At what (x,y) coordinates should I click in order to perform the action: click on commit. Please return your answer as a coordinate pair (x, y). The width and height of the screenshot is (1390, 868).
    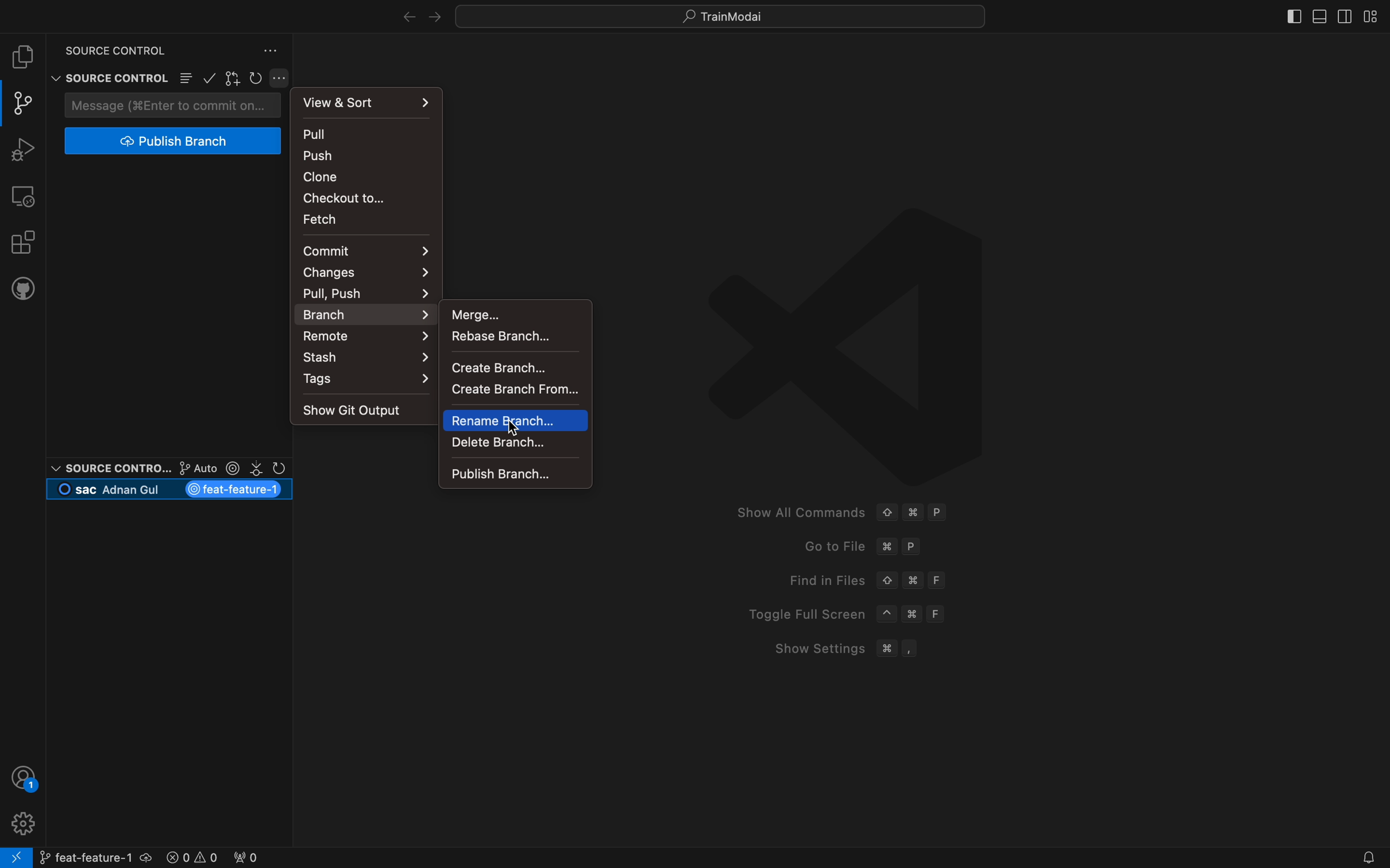
    Looking at the image, I should click on (366, 251).